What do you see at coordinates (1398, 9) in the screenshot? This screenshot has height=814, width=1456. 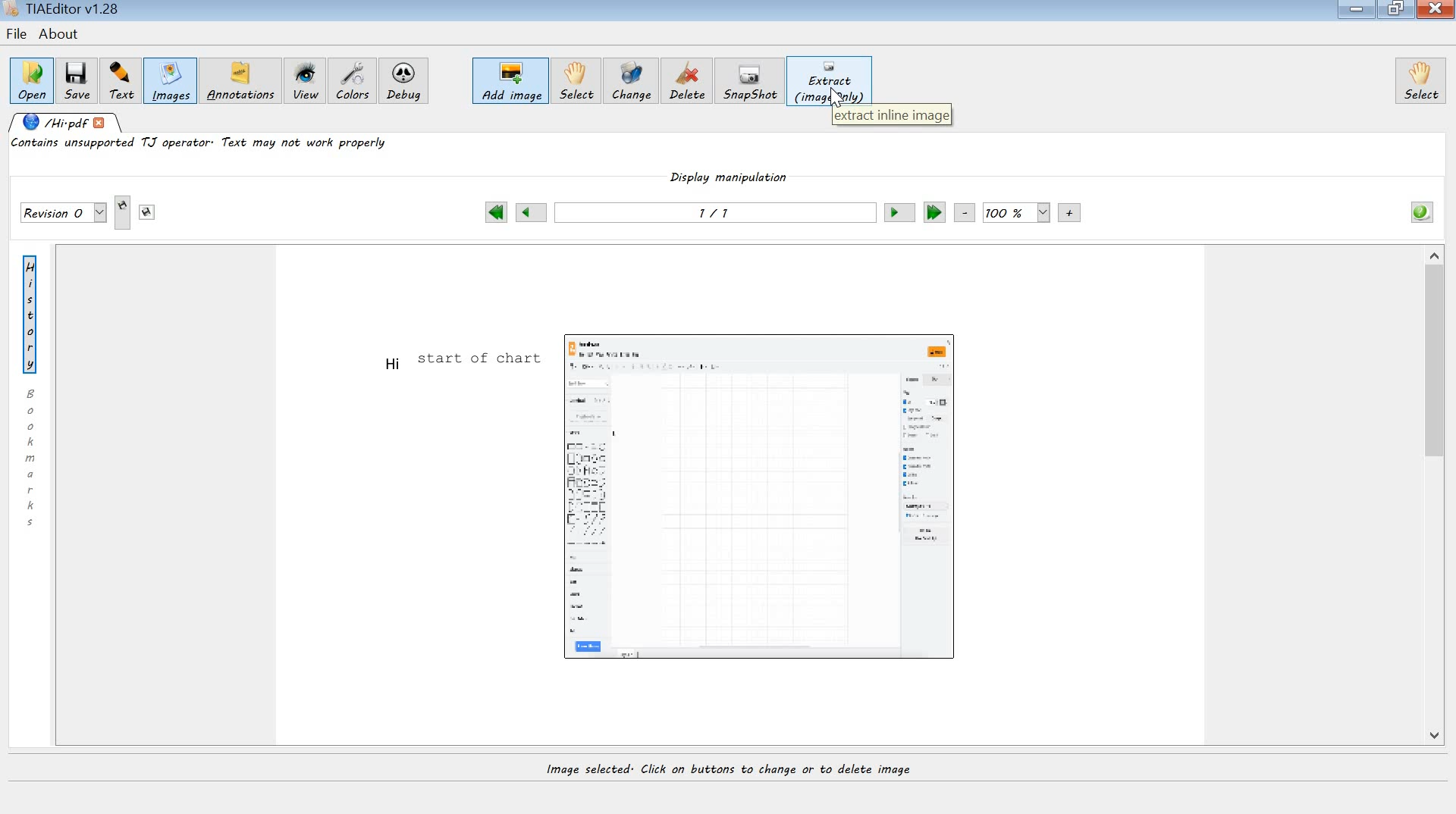 I see `restore down` at bounding box center [1398, 9].